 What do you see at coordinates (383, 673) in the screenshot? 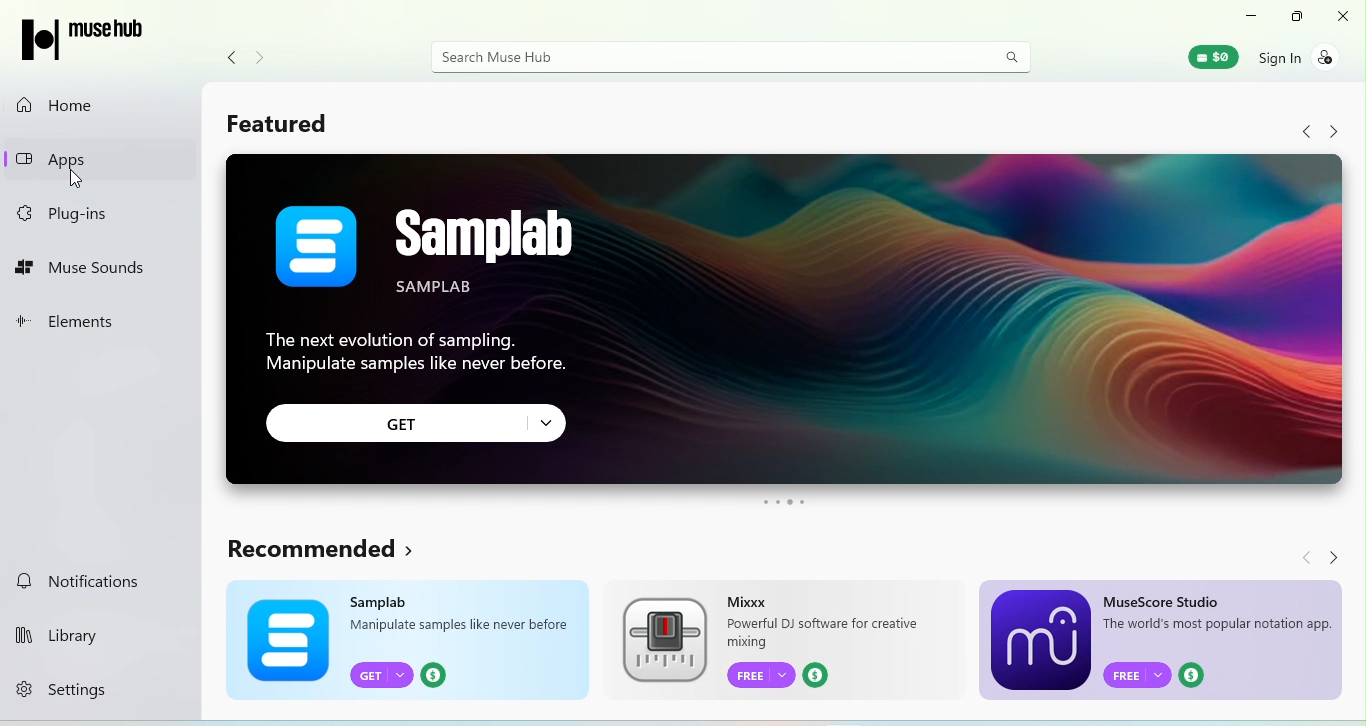
I see `Get ` at bounding box center [383, 673].